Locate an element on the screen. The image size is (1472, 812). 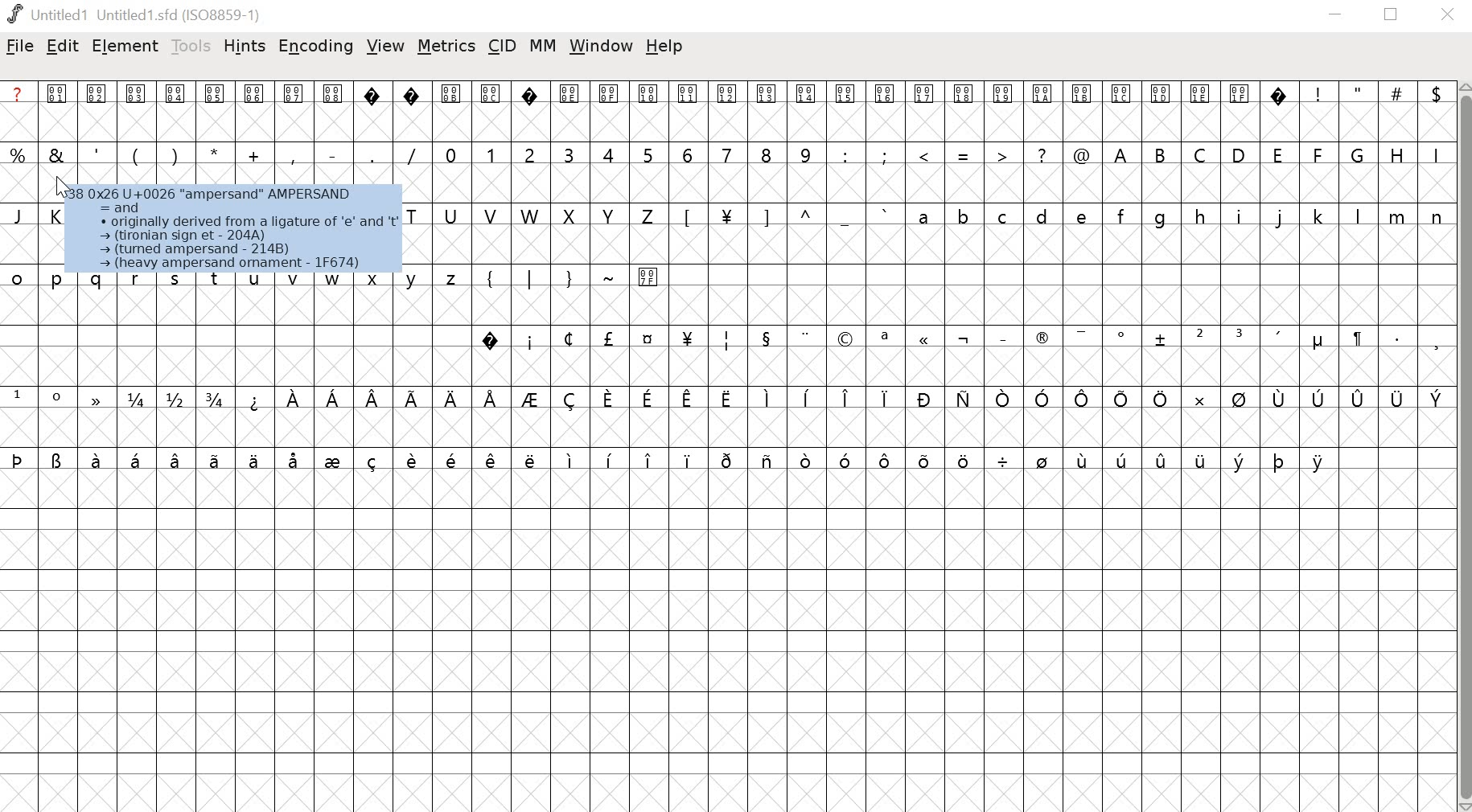
7 is located at coordinates (730, 153).